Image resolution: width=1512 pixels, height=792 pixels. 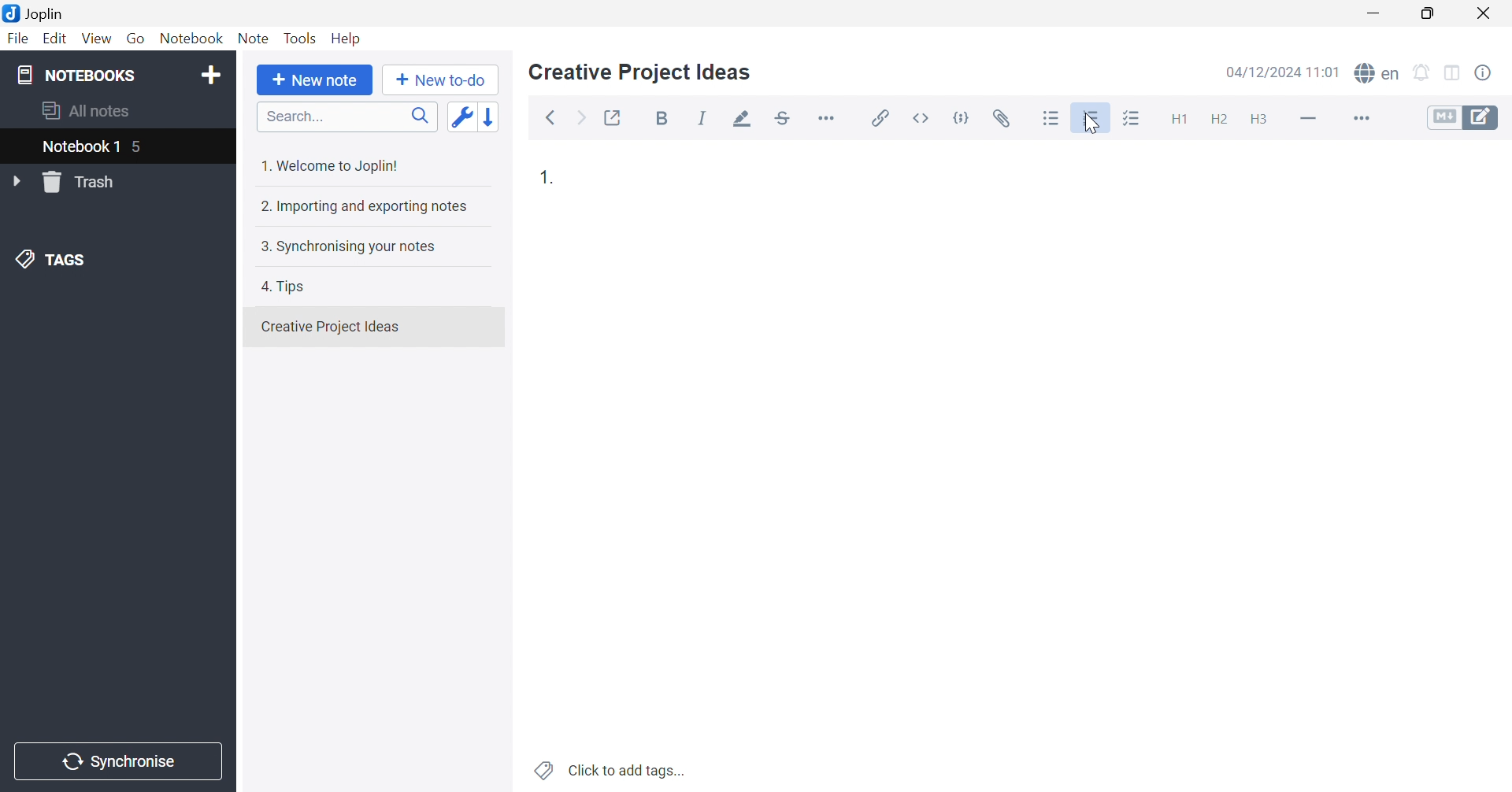 What do you see at coordinates (1280, 72) in the screenshot?
I see `04/12/2024` at bounding box center [1280, 72].